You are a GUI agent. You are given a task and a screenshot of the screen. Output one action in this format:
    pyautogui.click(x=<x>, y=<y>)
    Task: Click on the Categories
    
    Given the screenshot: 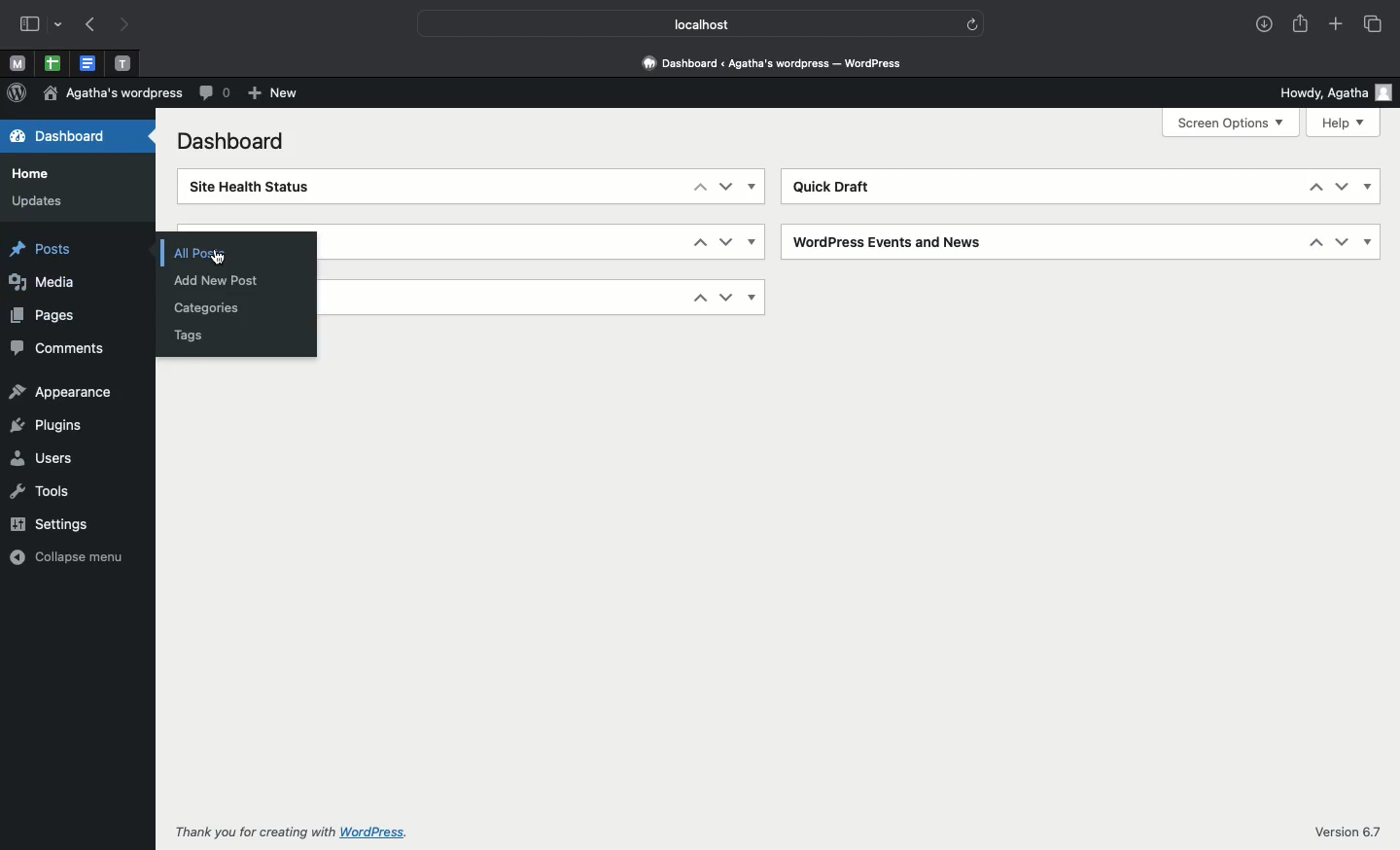 What is the action you would take?
    pyautogui.click(x=209, y=309)
    